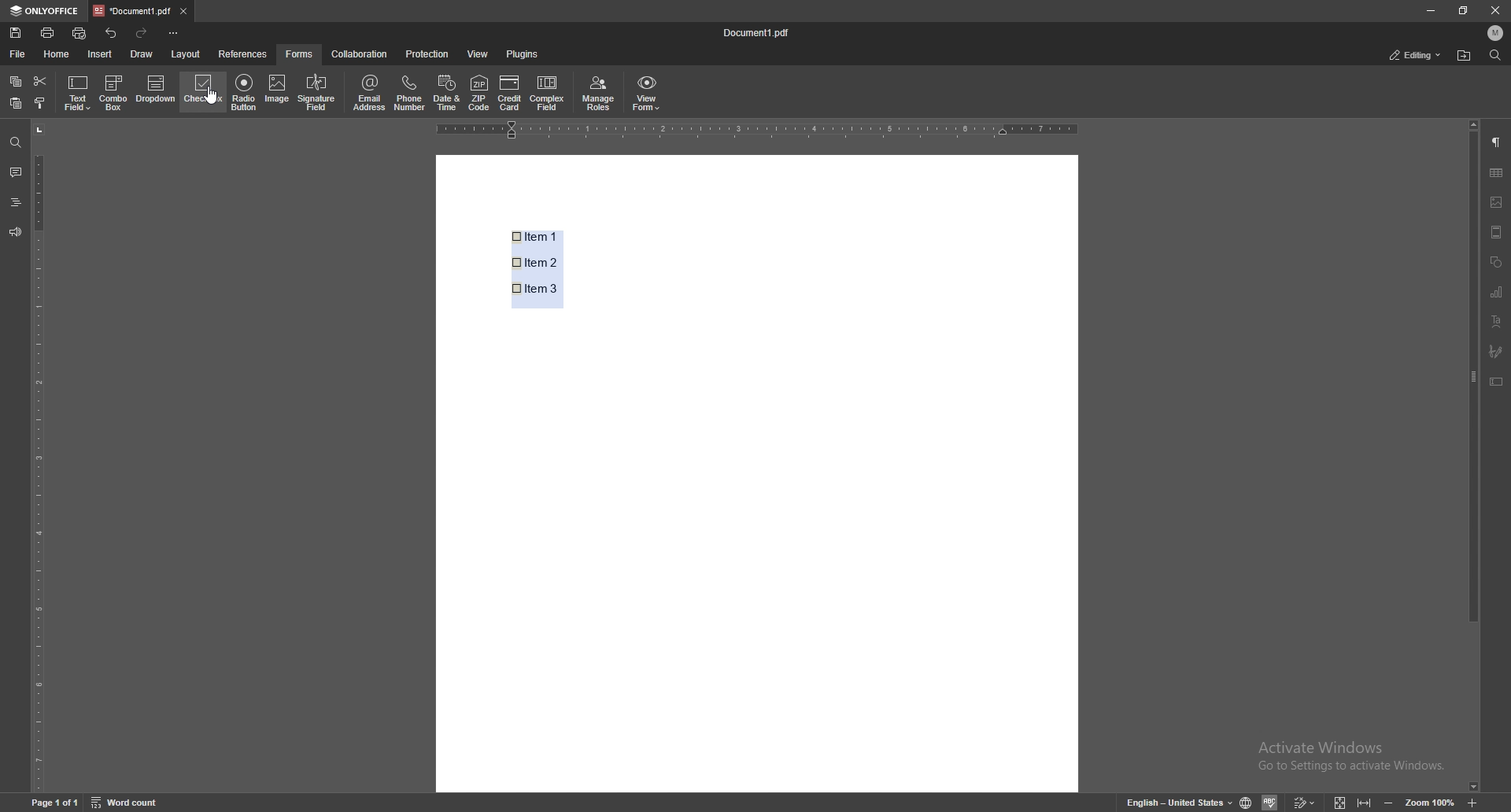 The width and height of the screenshot is (1511, 812). Describe the element at coordinates (1472, 802) in the screenshot. I see `zoom in` at that location.